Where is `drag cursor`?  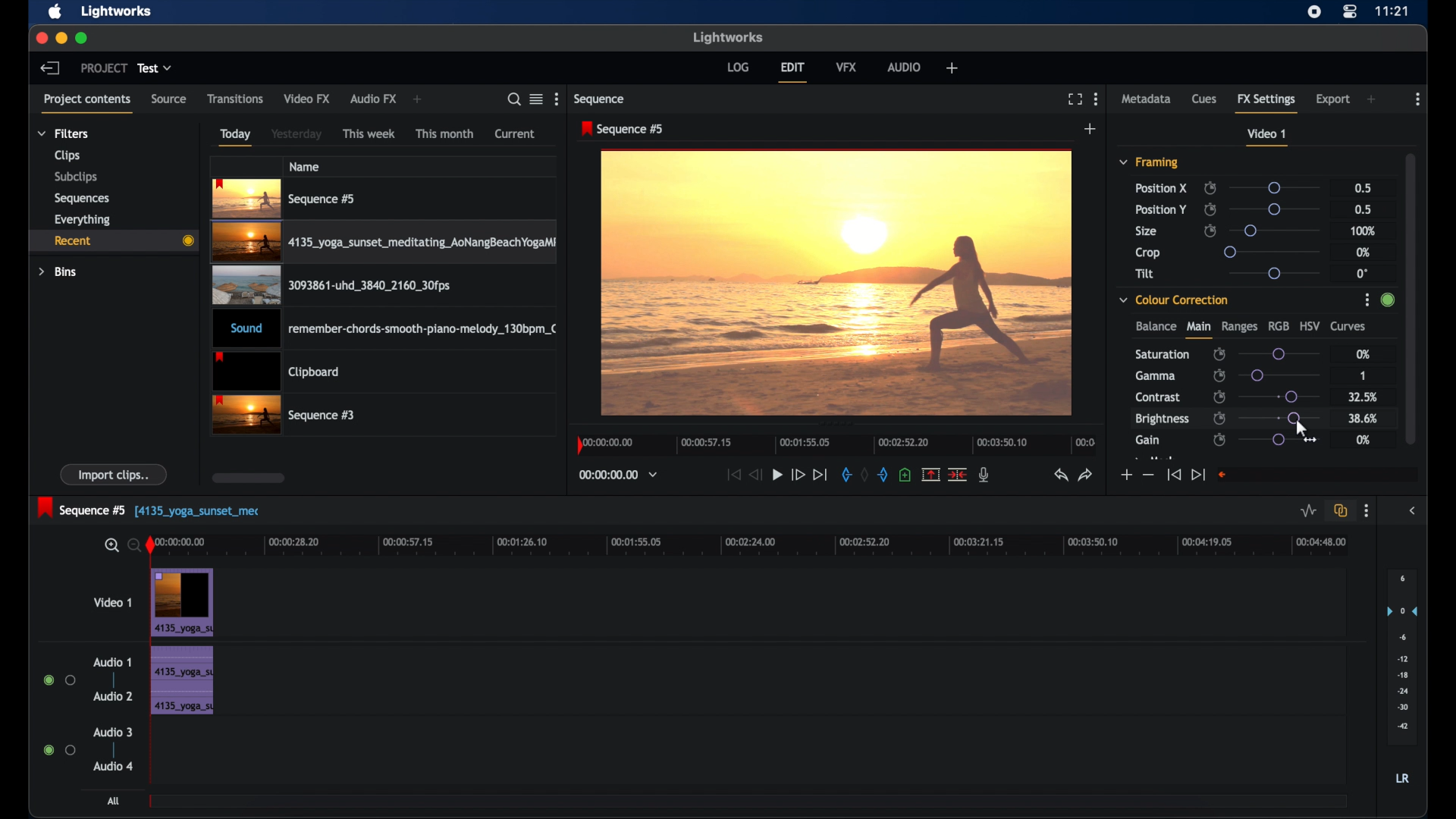 drag cursor is located at coordinates (1306, 432).